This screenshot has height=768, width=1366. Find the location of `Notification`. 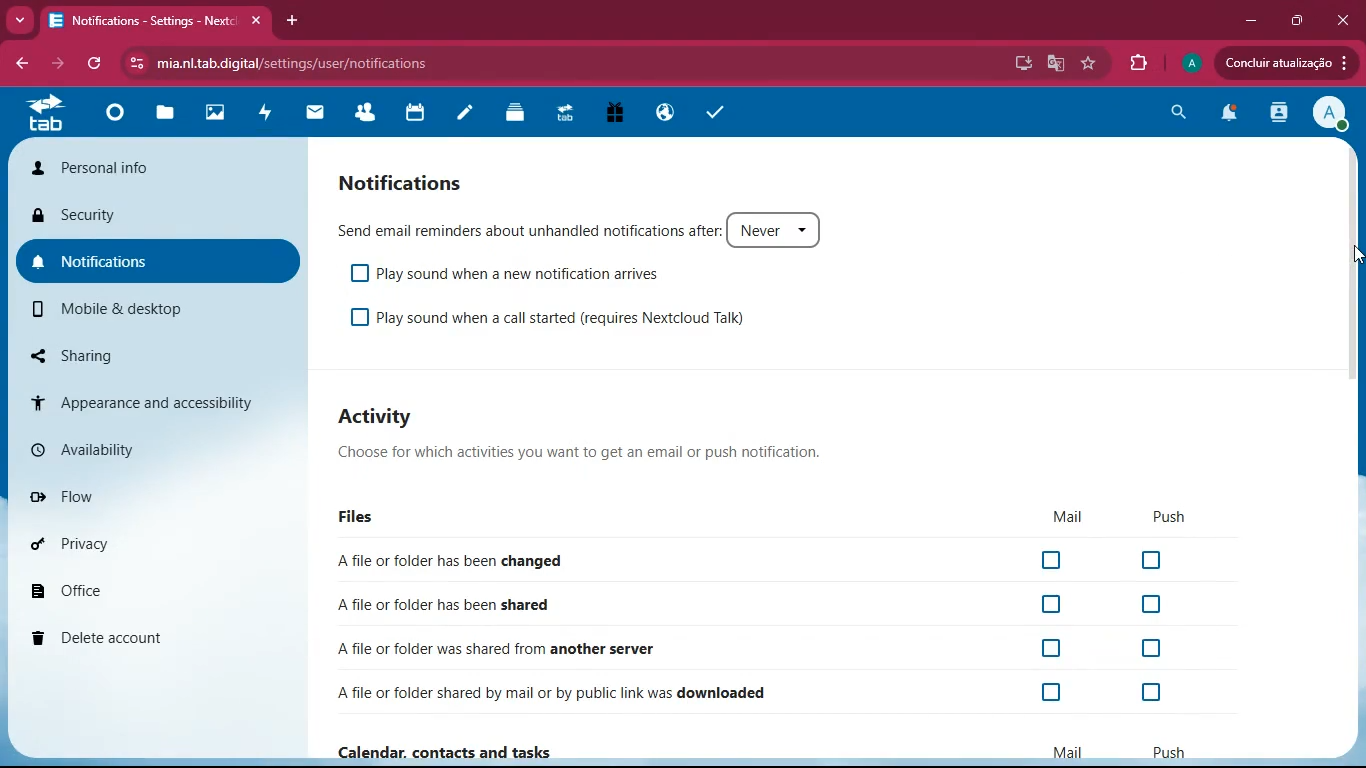

Notification is located at coordinates (403, 181).